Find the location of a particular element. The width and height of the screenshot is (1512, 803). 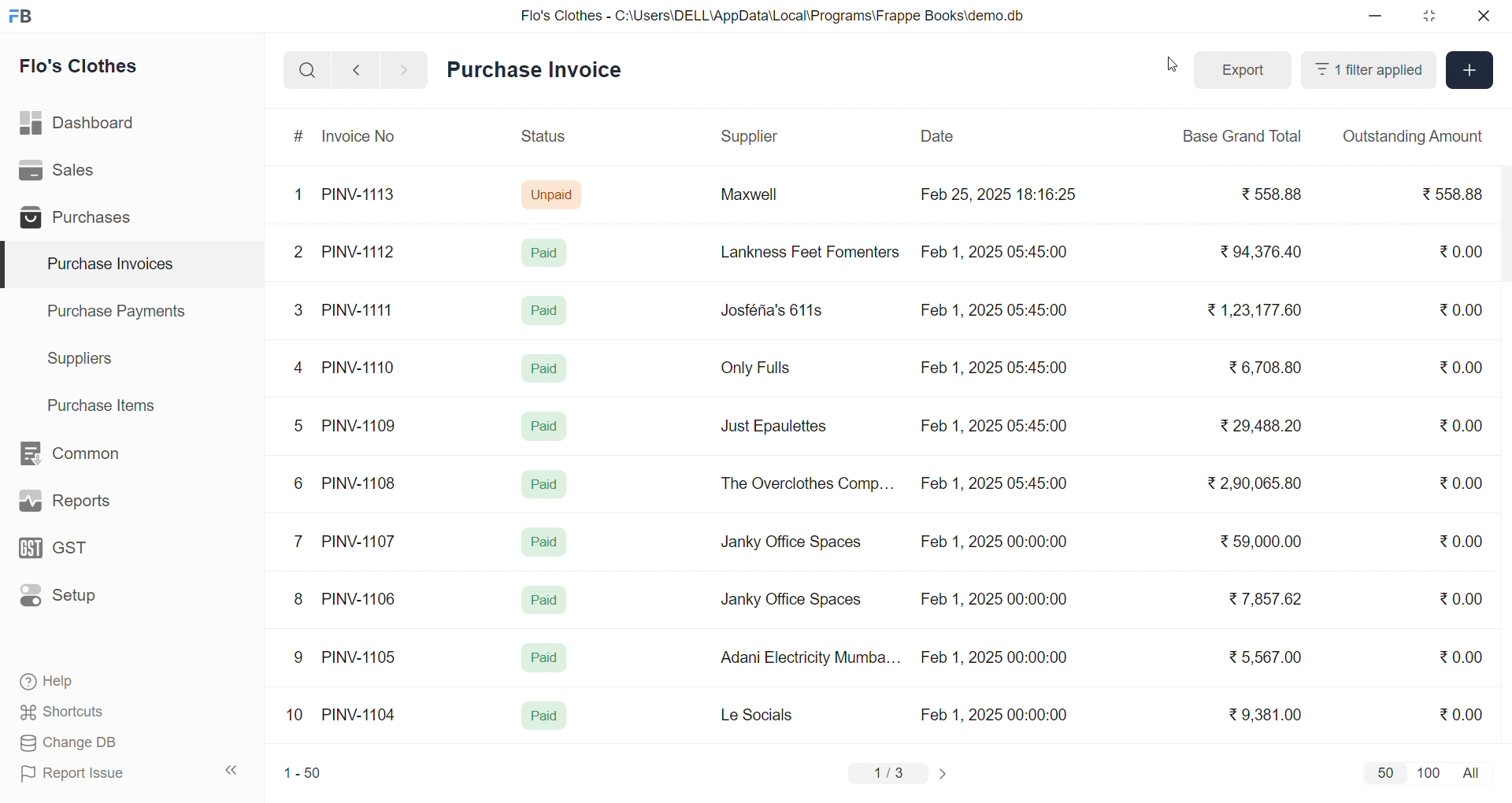

₹29,488.20 is located at coordinates (1256, 426).